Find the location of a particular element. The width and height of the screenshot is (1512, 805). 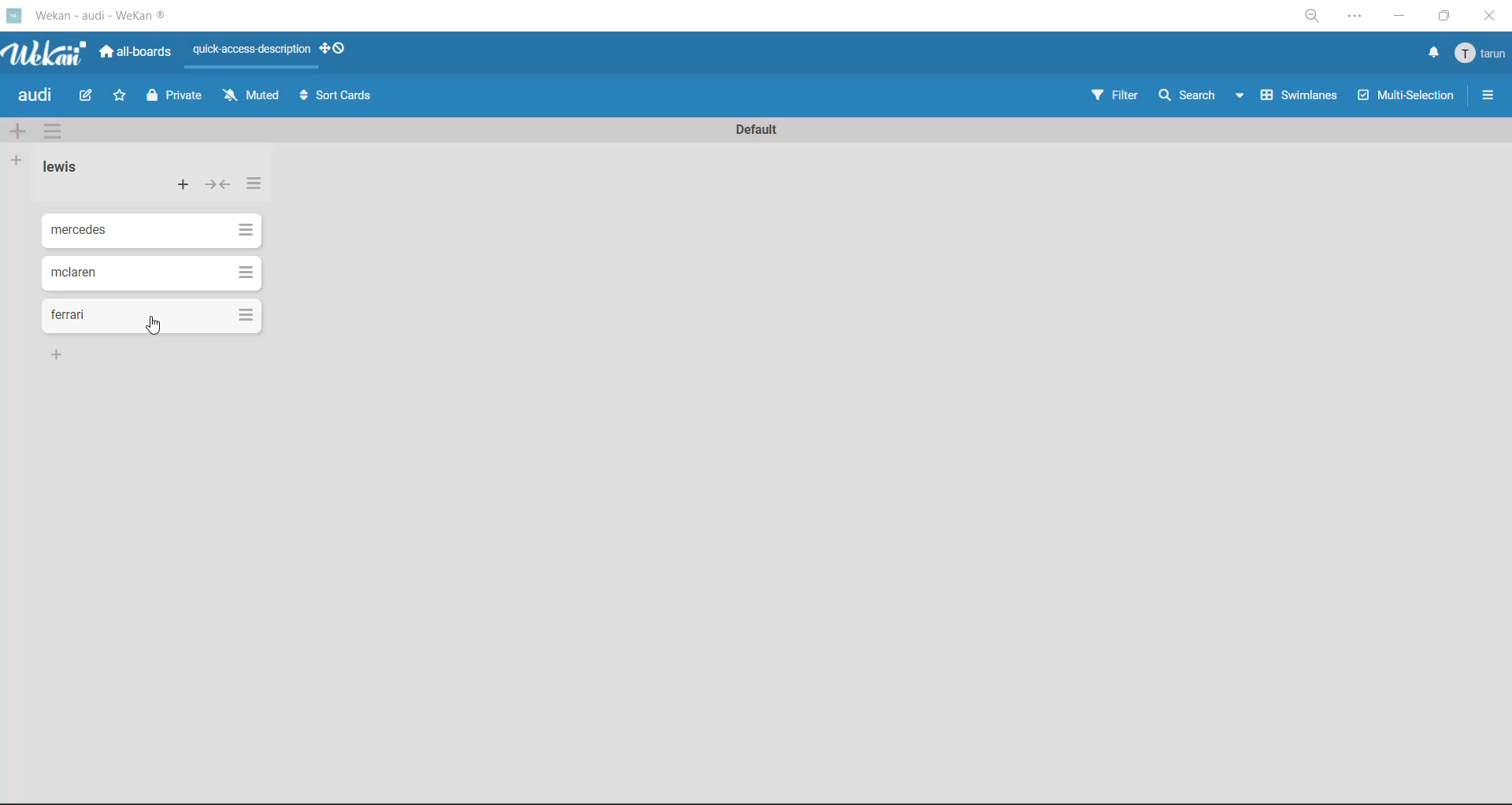

swimlane title is located at coordinates (764, 131).